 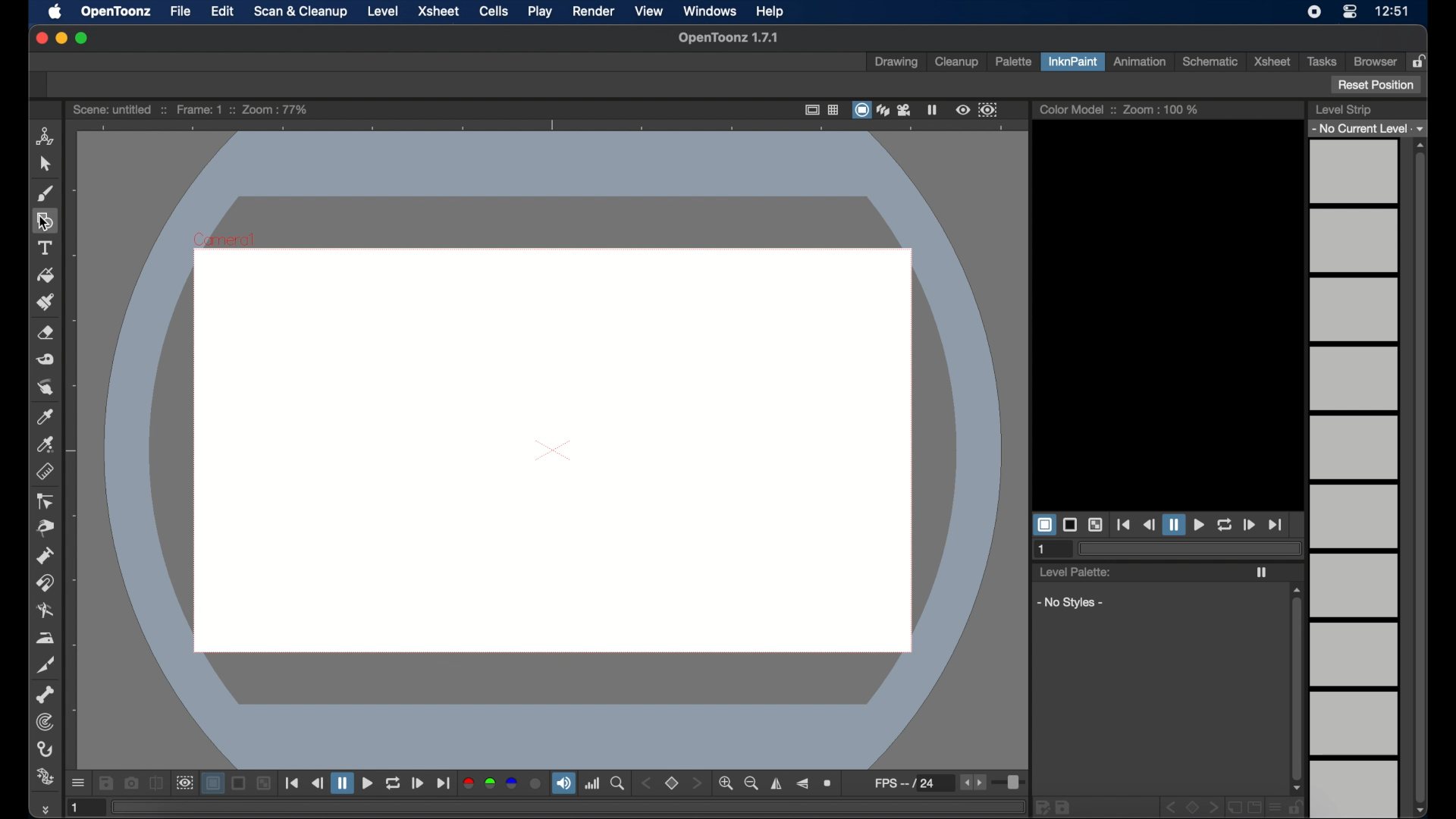 What do you see at coordinates (834, 109) in the screenshot?
I see `field guide` at bounding box center [834, 109].